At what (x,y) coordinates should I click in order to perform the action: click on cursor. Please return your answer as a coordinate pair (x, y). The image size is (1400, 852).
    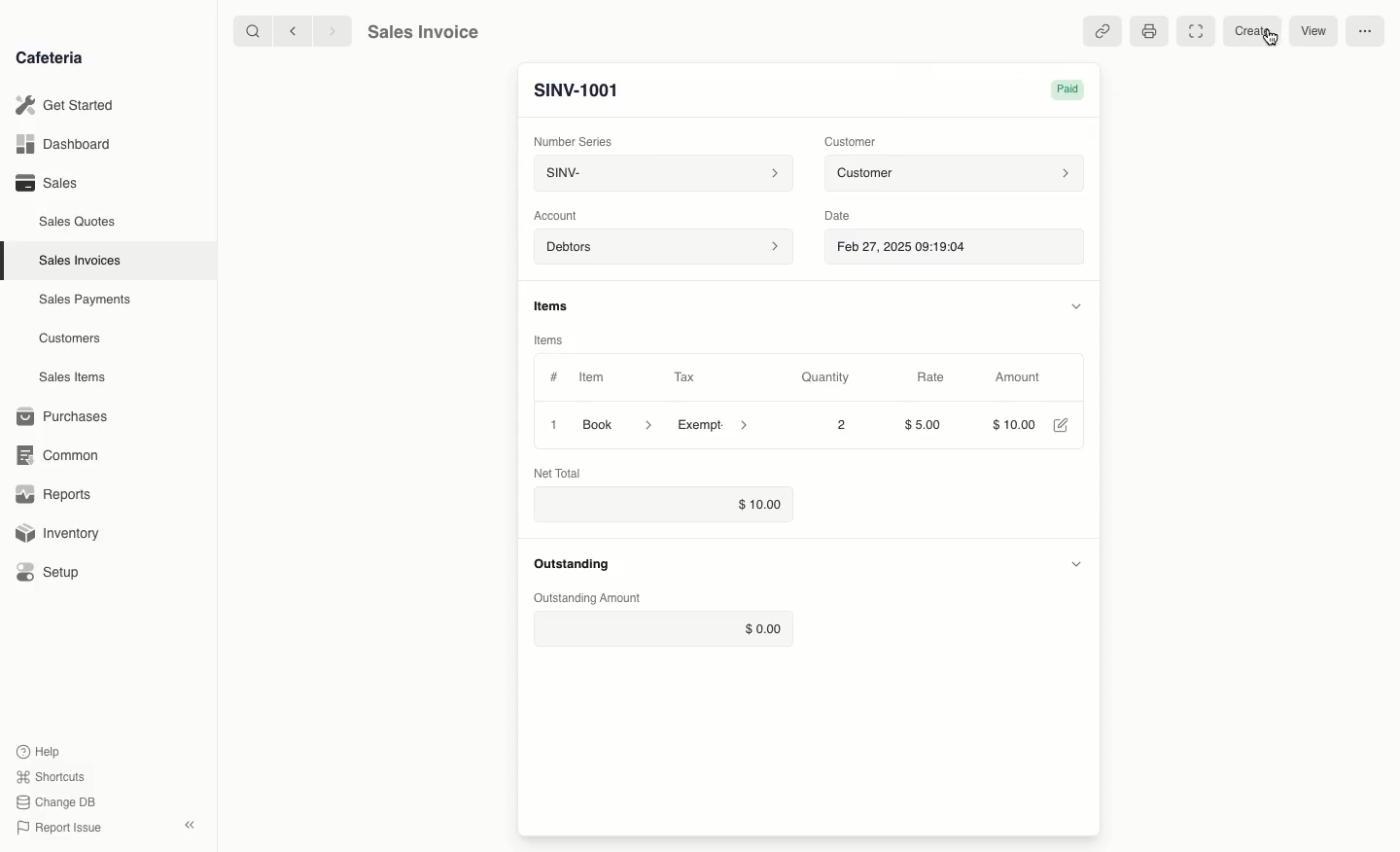
    Looking at the image, I should click on (1266, 41).